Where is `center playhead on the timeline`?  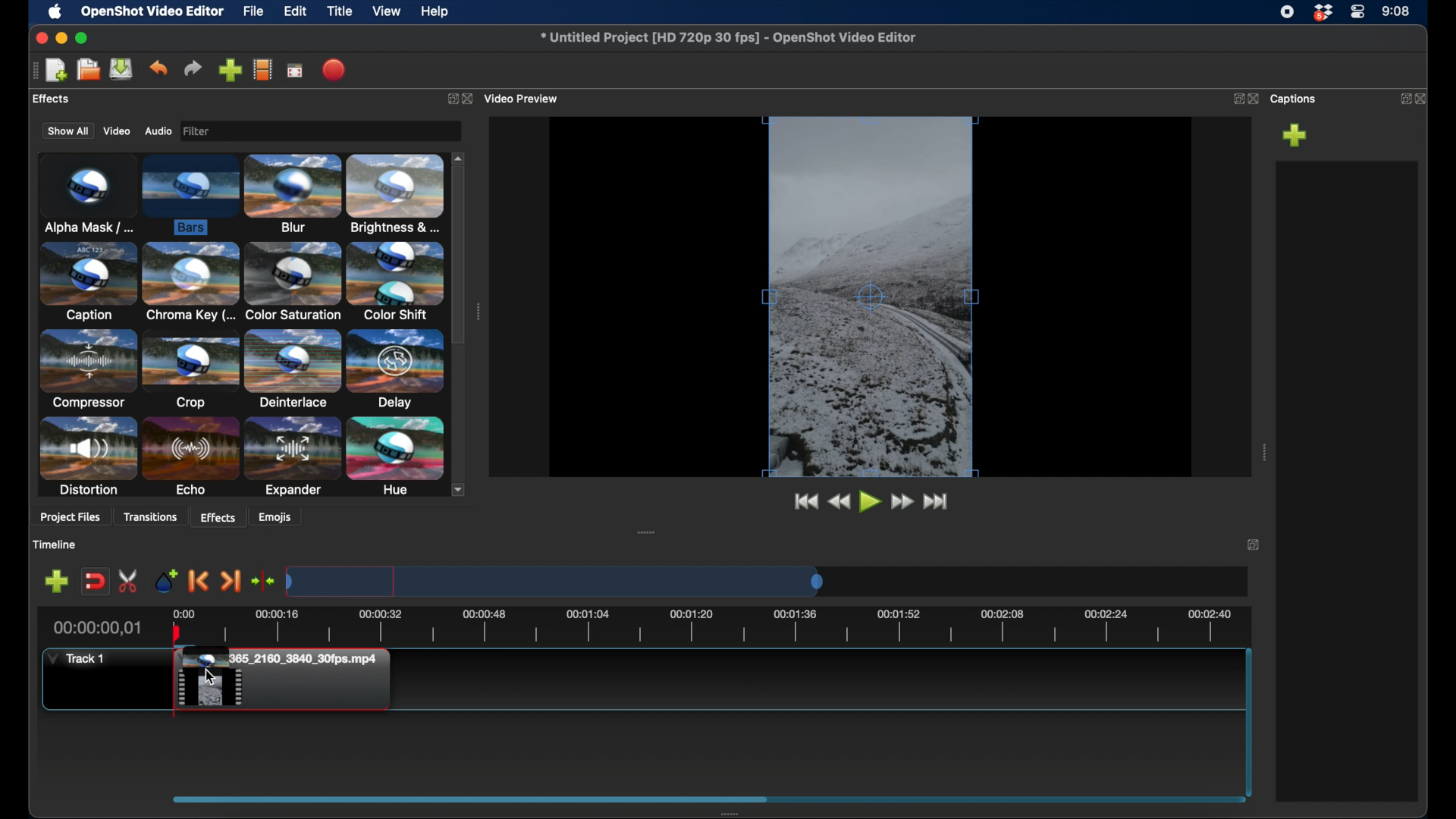 center playhead on the timeline is located at coordinates (262, 581).